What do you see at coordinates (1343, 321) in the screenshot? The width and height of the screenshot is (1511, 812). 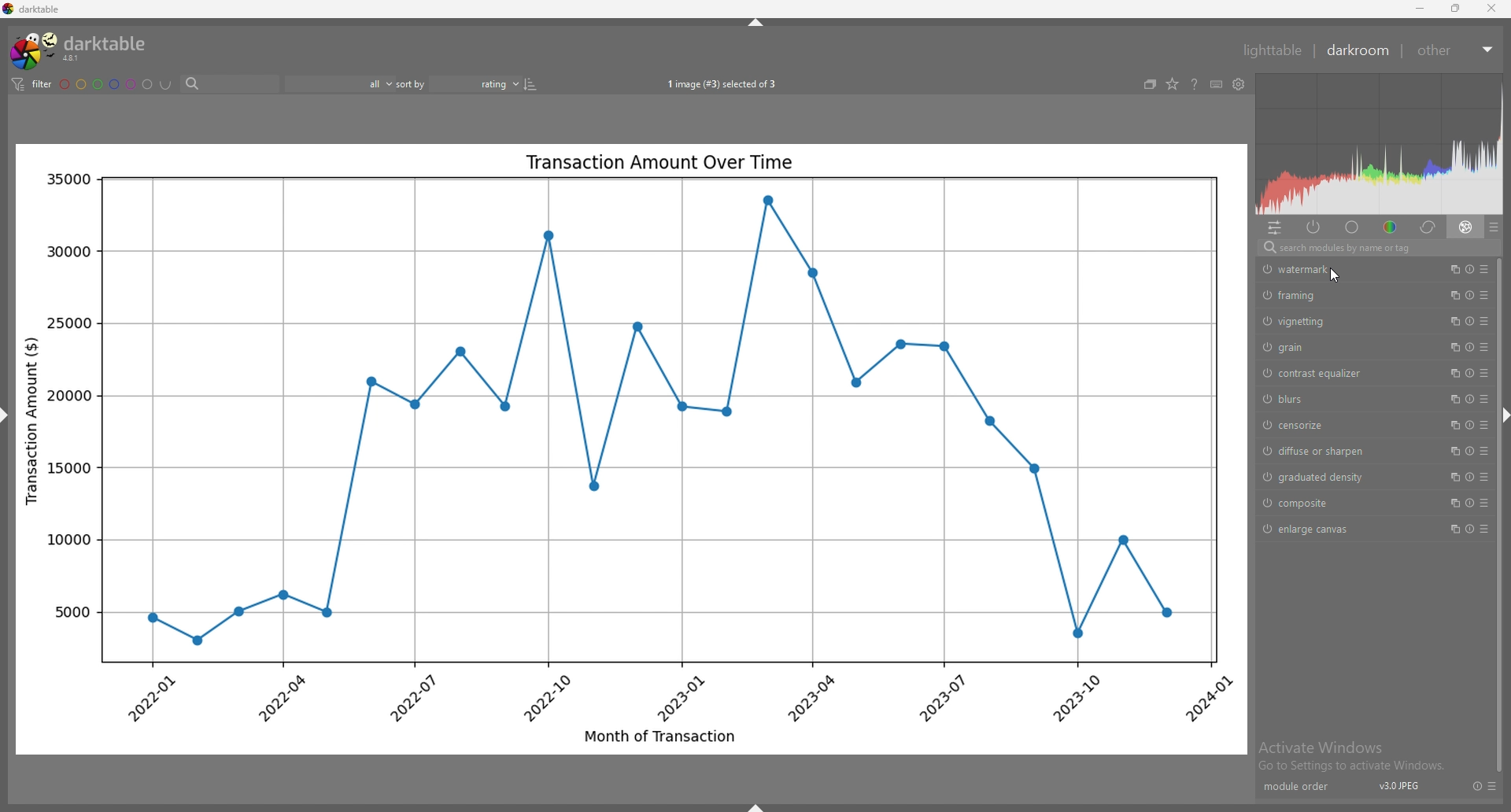 I see `vignetting` at bounding box center [1343, 321].